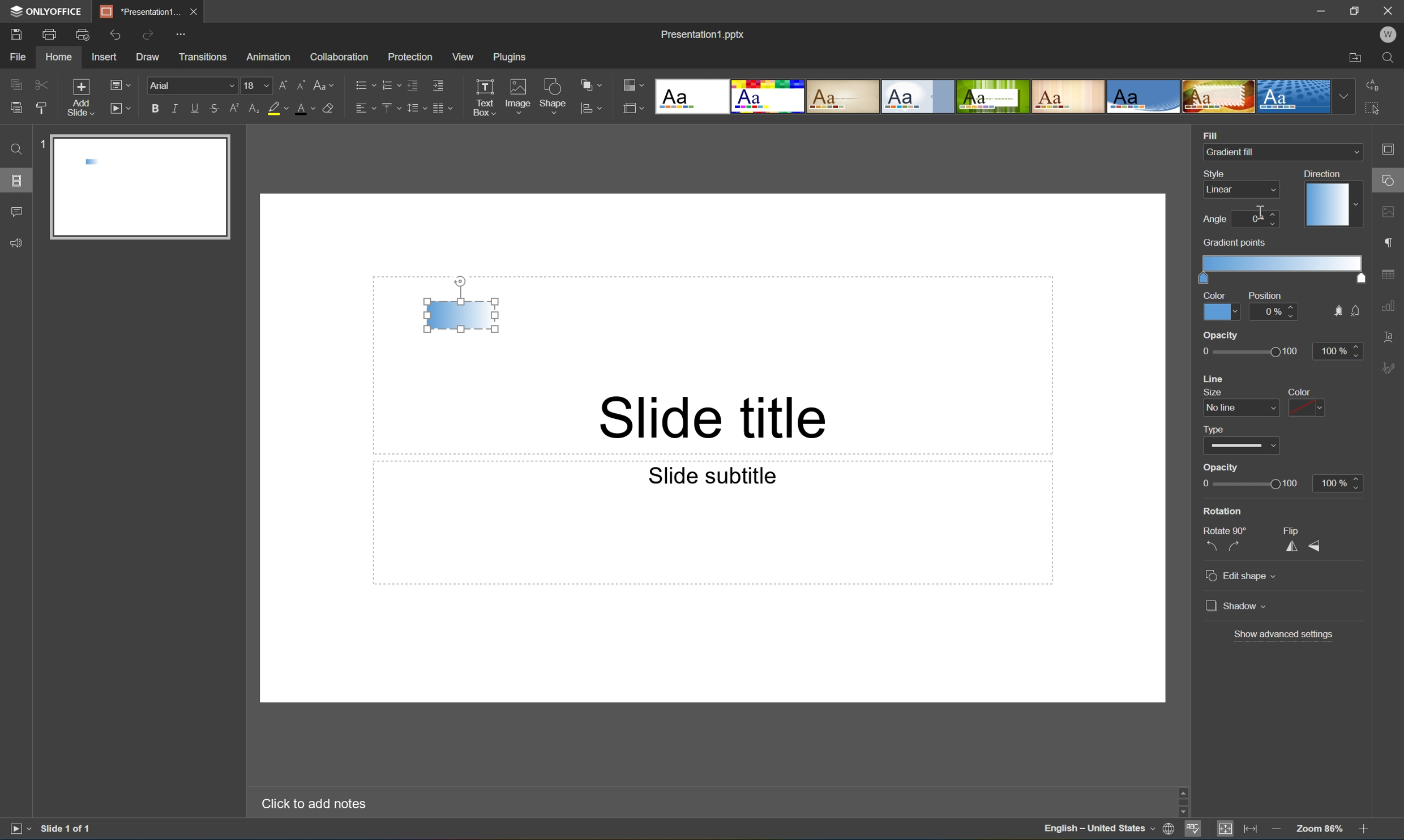  I want to click on Shape, so click(554, 98).